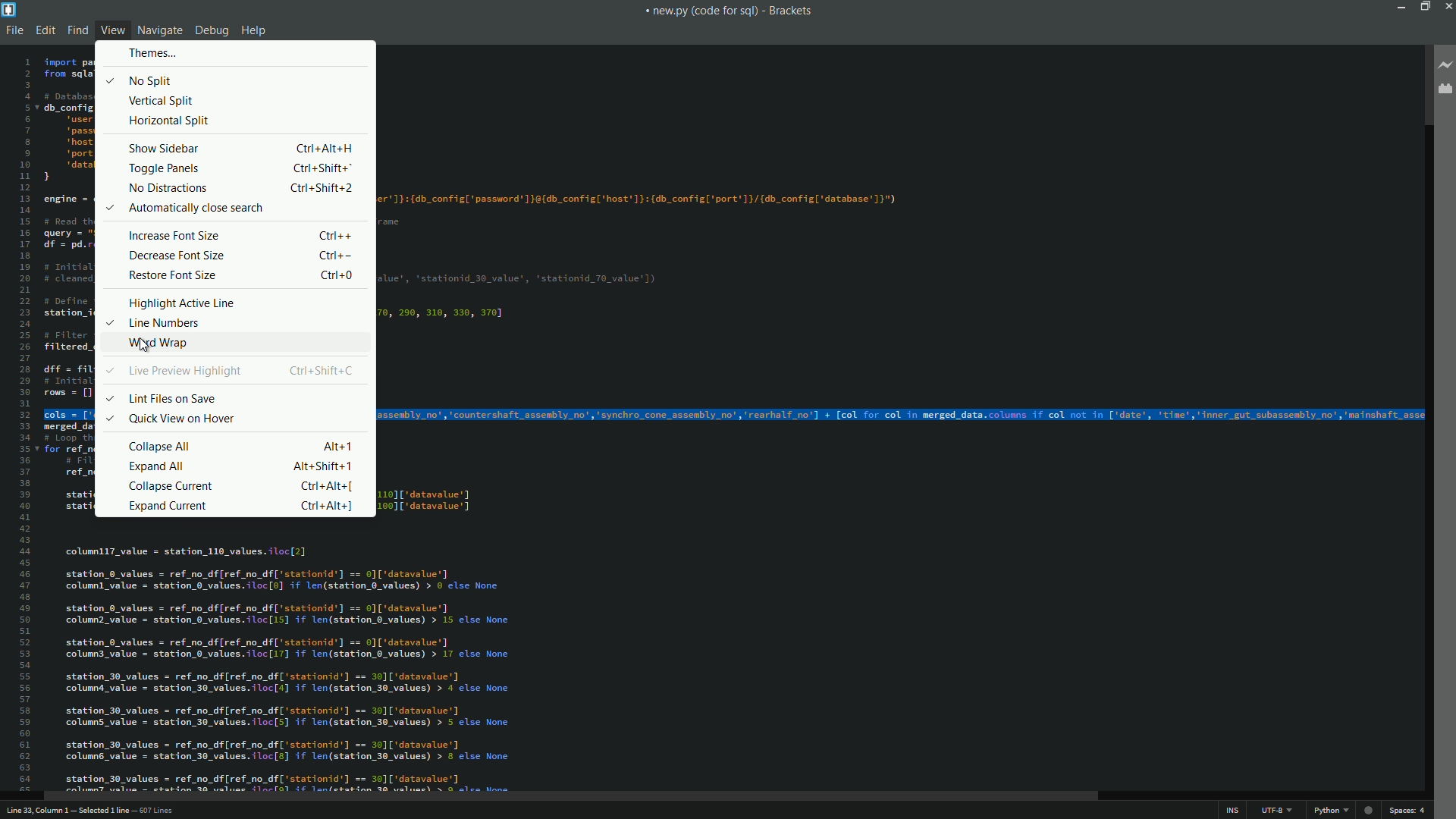 This screenshot has width=1456, height=819. What do you see at coordinates (187, 207) in the screenshot?
I see `automatically close braces` at bounding box center [187, 207].